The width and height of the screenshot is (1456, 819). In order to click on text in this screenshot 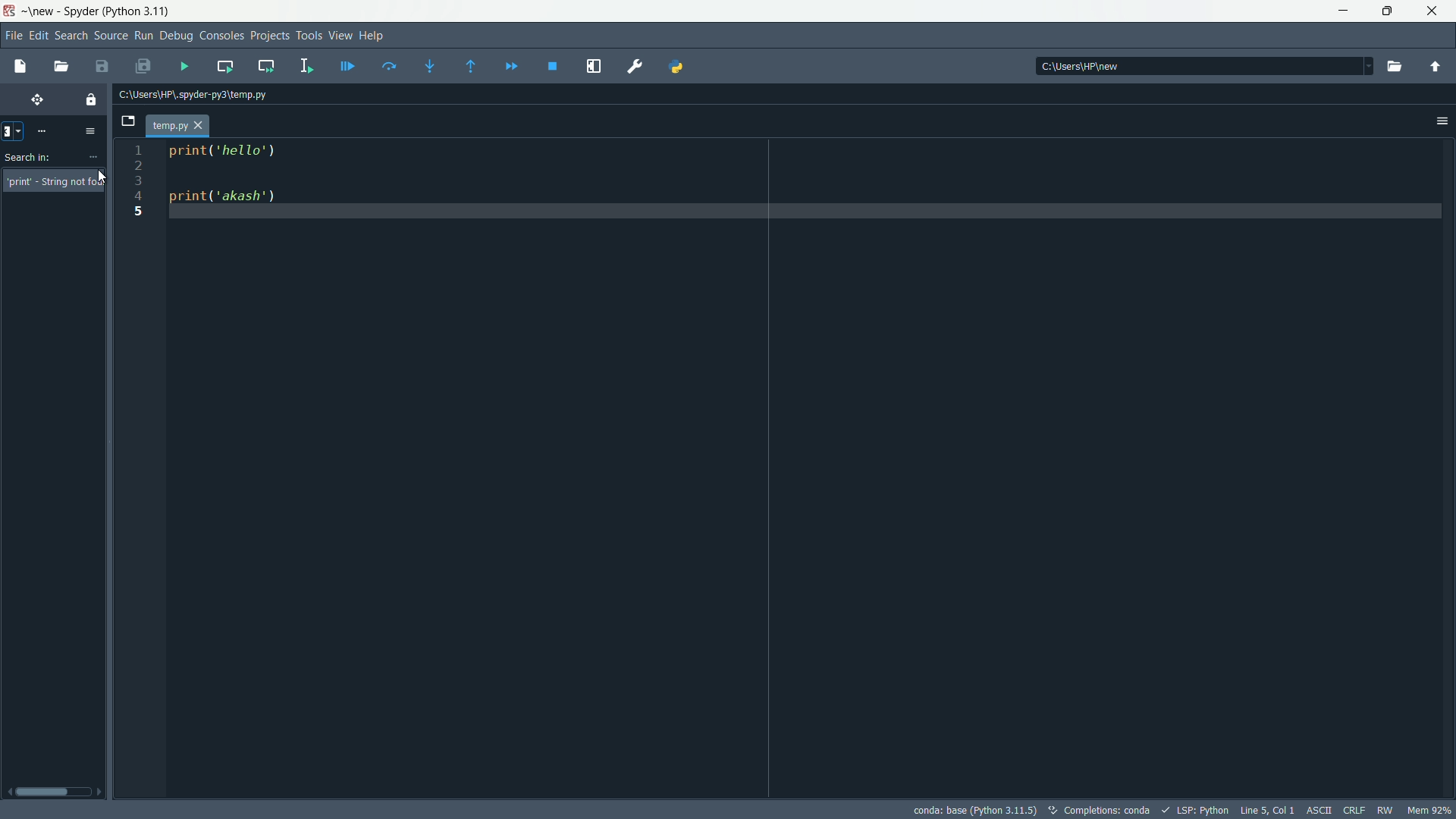, I will do `click(1097, 810)`.